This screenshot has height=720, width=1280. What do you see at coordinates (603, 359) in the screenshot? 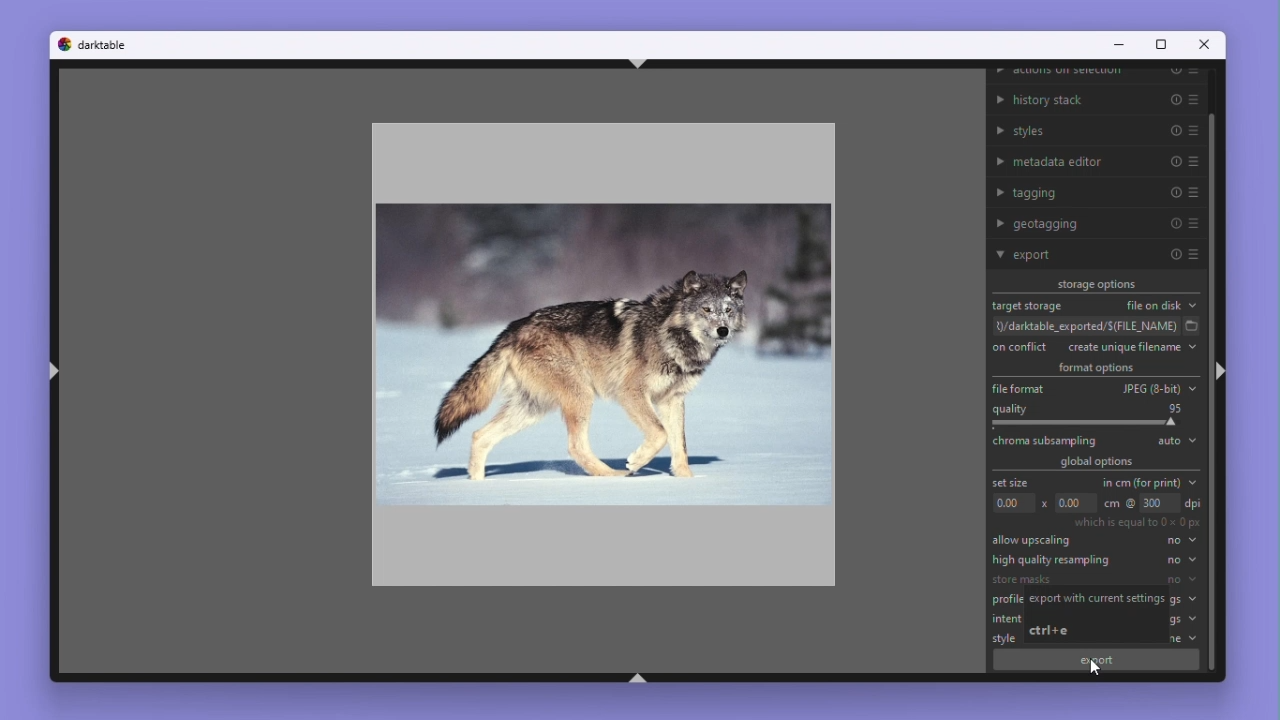
I see `Image` at bounding box center [603, 359].